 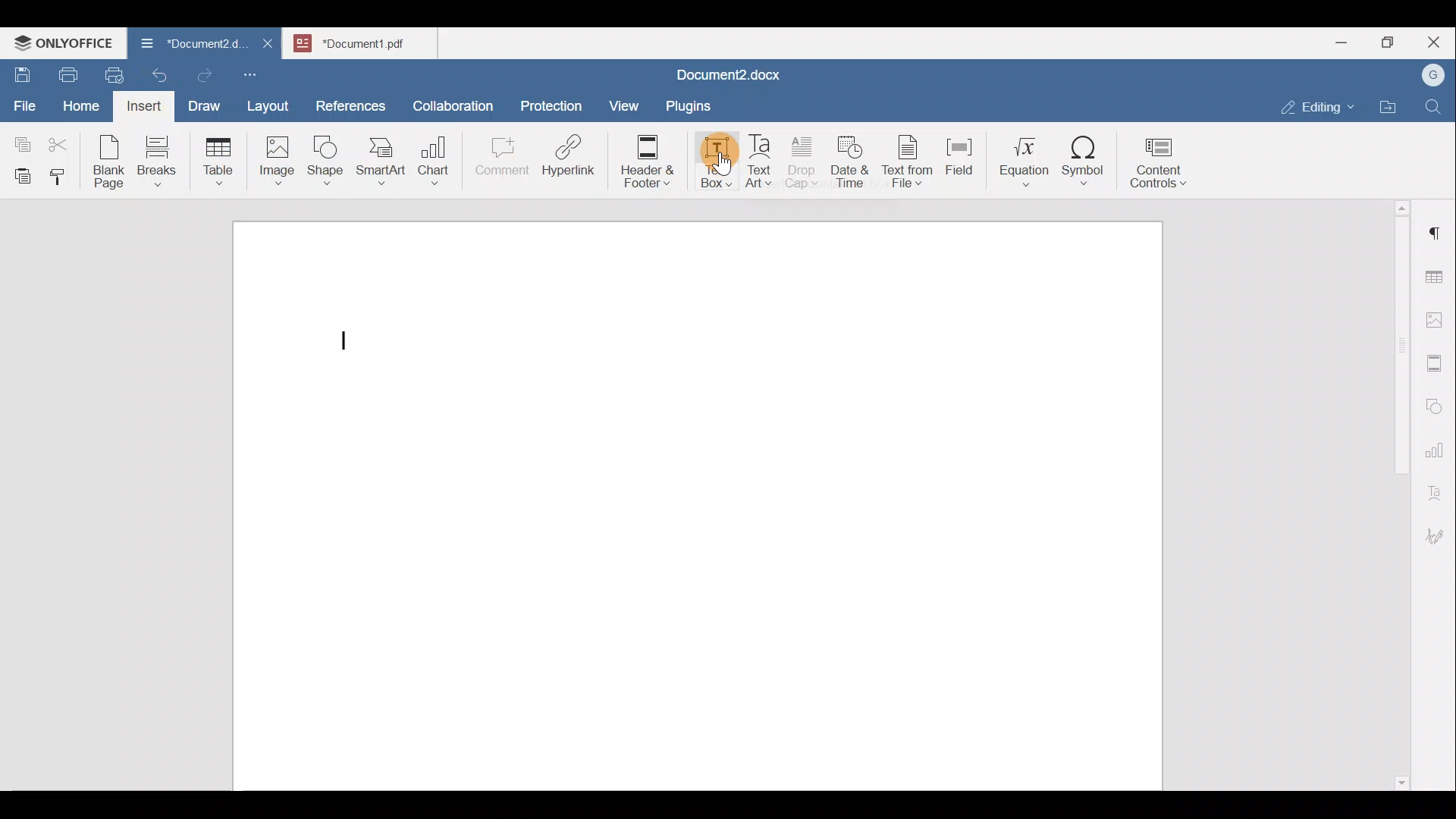 What do you see at coordinates (20, 140) in the screenshot?
I see `Copy` at bounding box center [20, 140].